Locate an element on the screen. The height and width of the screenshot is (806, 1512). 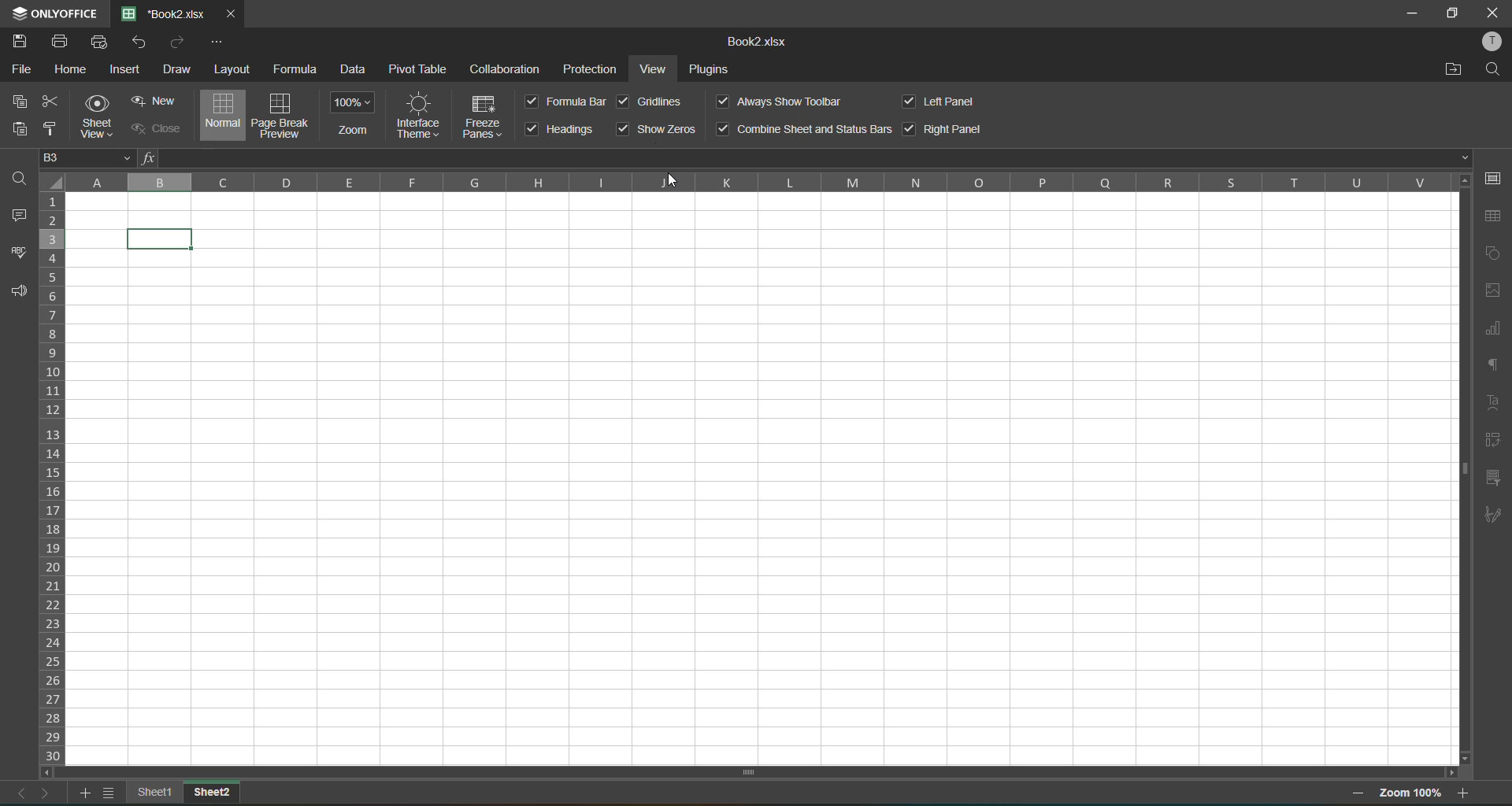
copy style is located at coordinates (49, 128).